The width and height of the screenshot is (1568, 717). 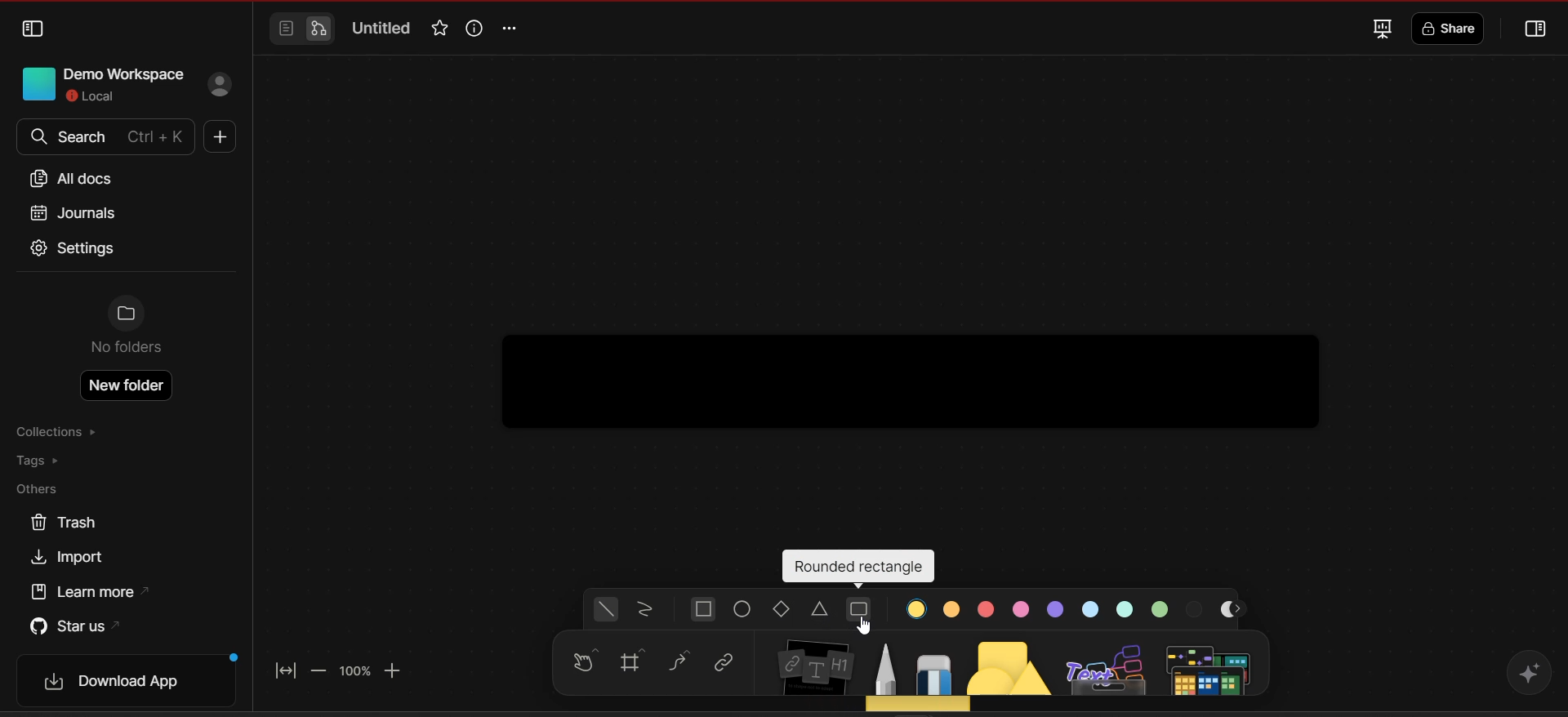 I want to click on color 9, so click(x=1196, y=608).